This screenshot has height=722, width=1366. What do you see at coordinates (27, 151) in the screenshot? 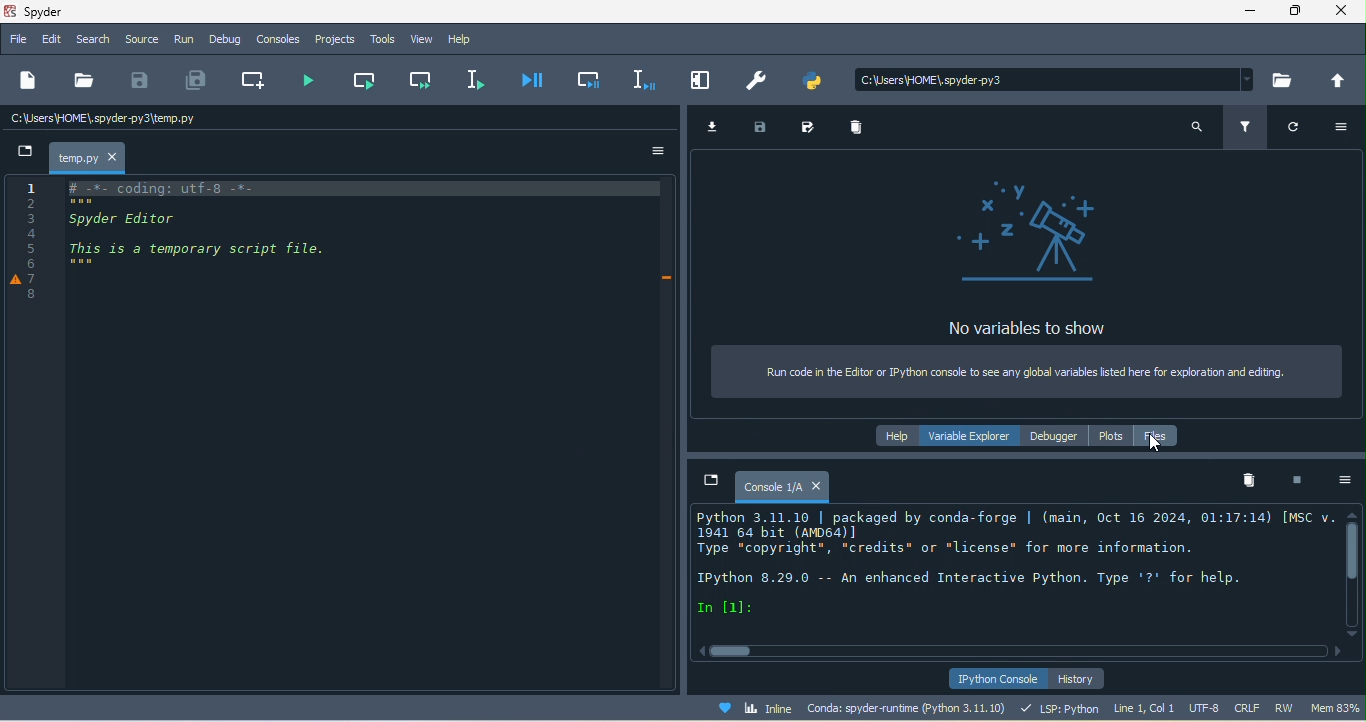
I see `new file` at bounding box center [27, 151].